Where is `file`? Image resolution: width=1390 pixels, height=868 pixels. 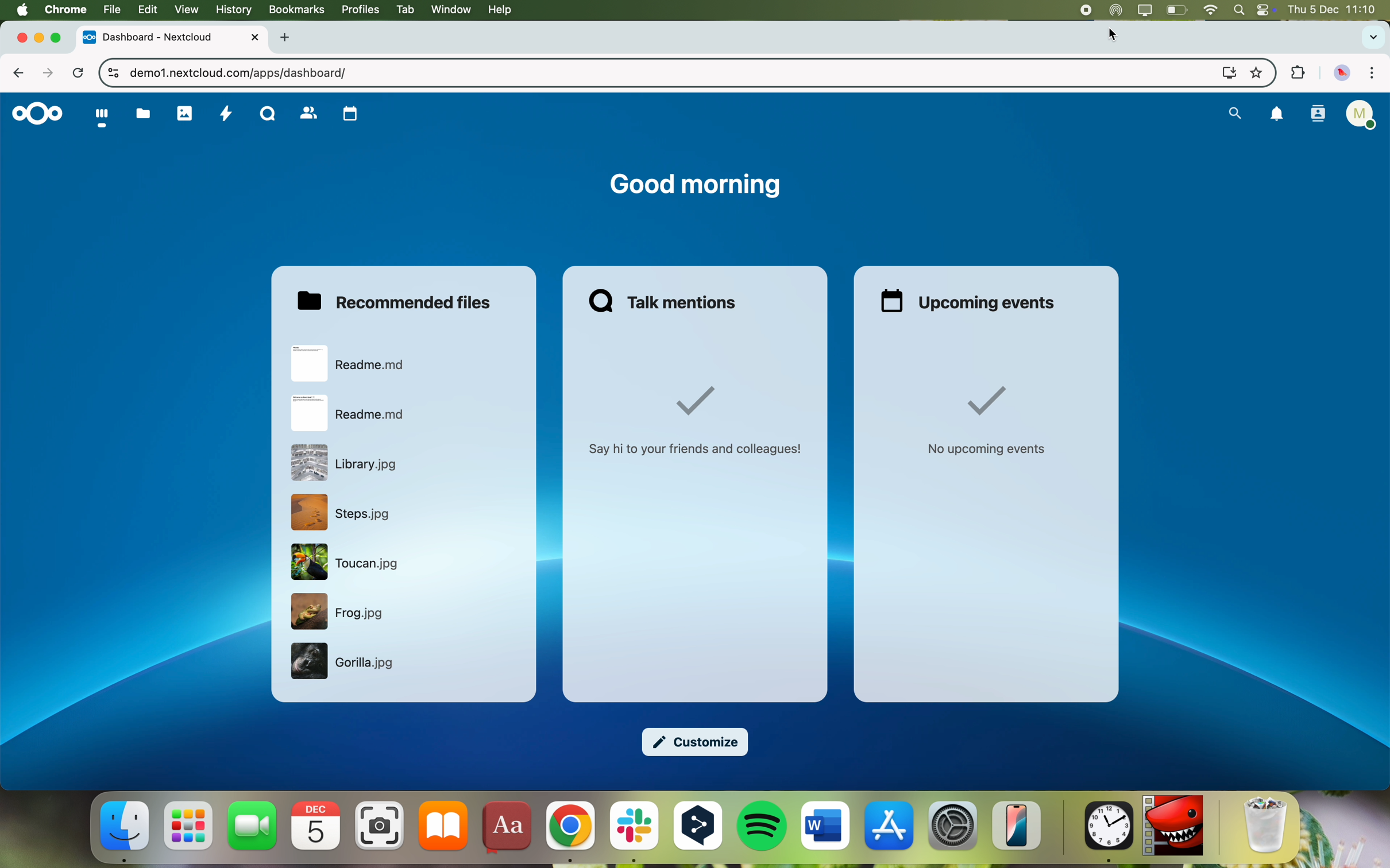
file is located at coordinates (343, 512).